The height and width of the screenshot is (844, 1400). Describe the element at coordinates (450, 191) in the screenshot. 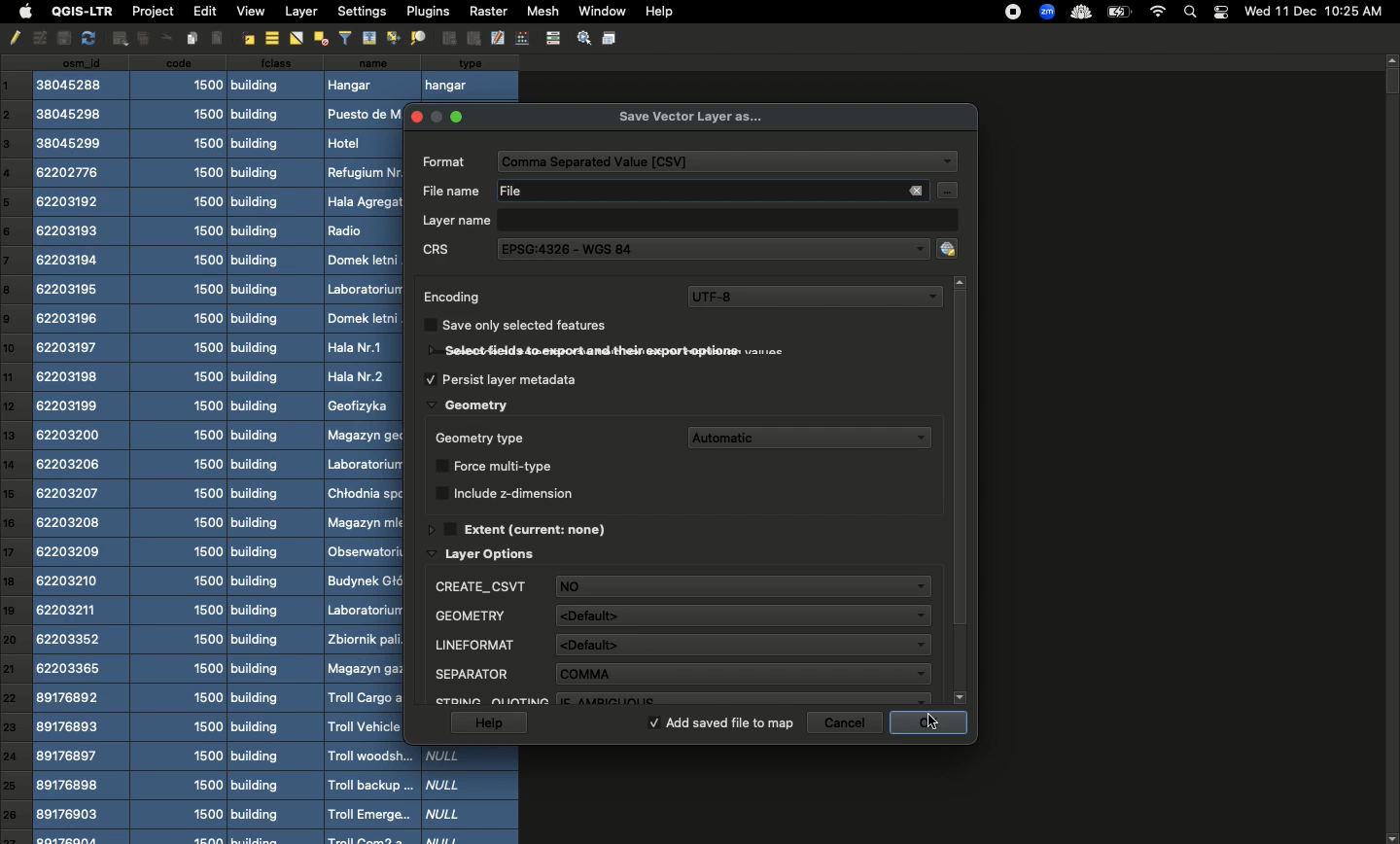

I see `file name` at that location.